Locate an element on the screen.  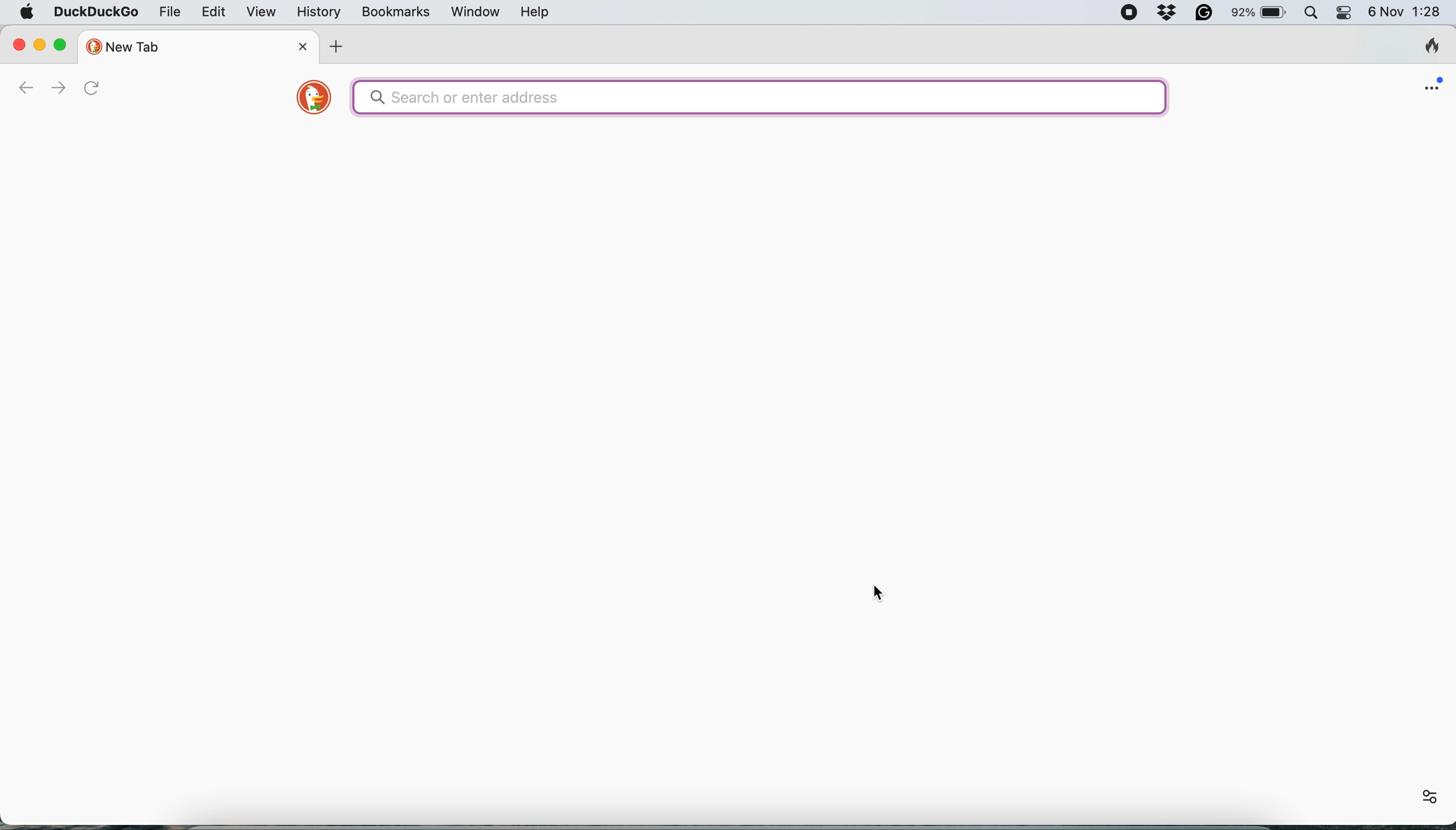
view is located at coordinates (262, 13).